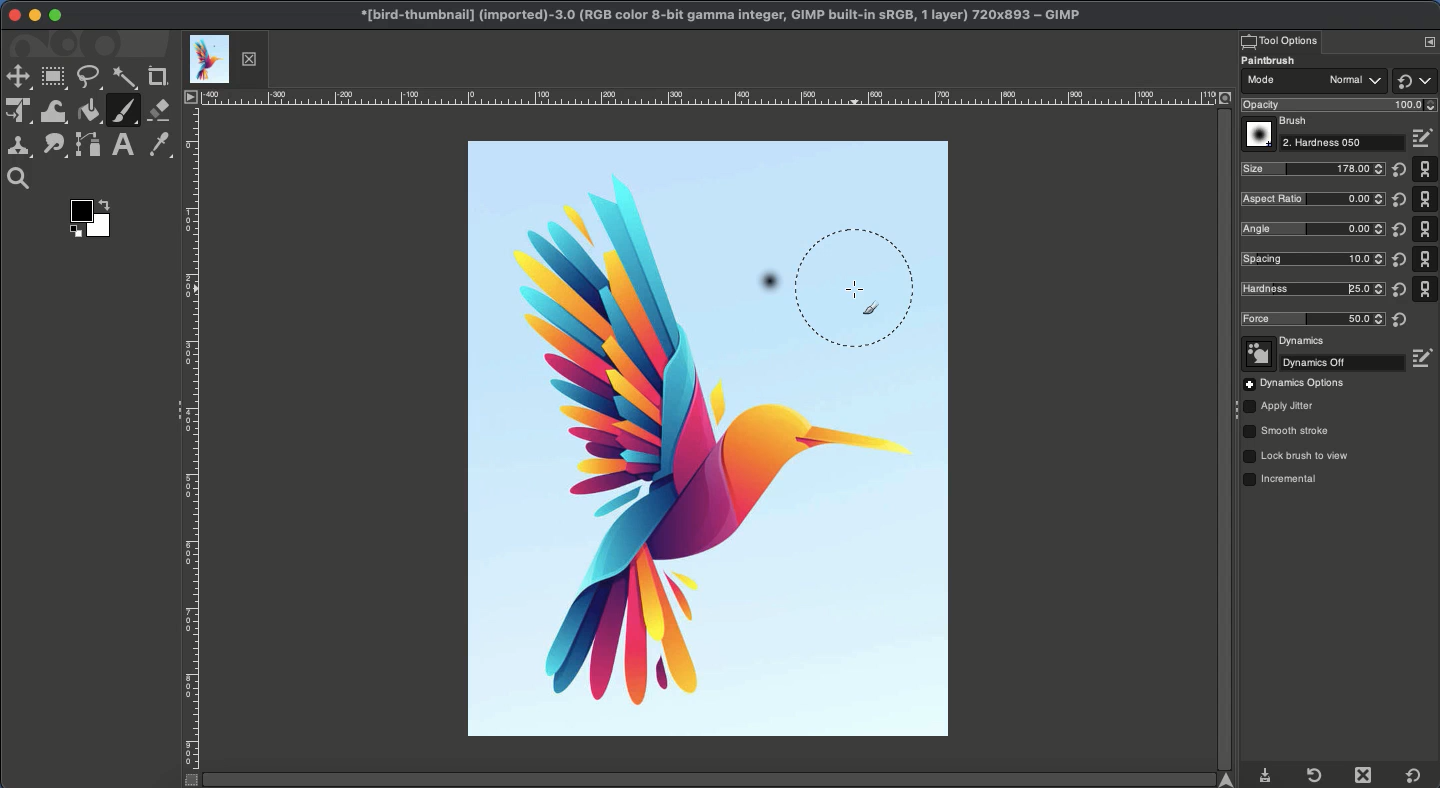 This screenshot has width=1440, height=788. Describe the element at coordinates (1397, 245) in the screenshot. I see `Reset` at that location.